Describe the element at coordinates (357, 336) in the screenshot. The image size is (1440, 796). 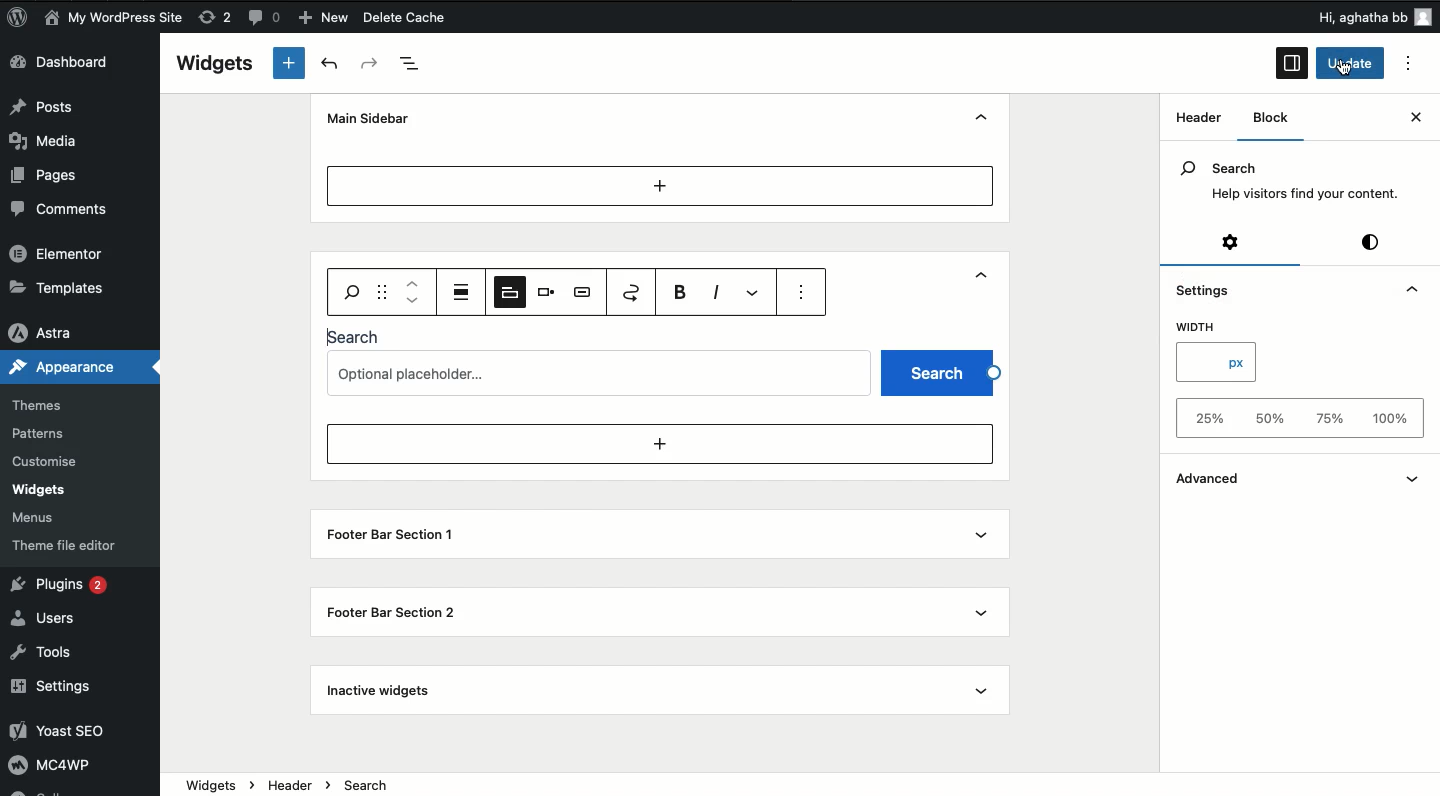
I see `Search` at that location.